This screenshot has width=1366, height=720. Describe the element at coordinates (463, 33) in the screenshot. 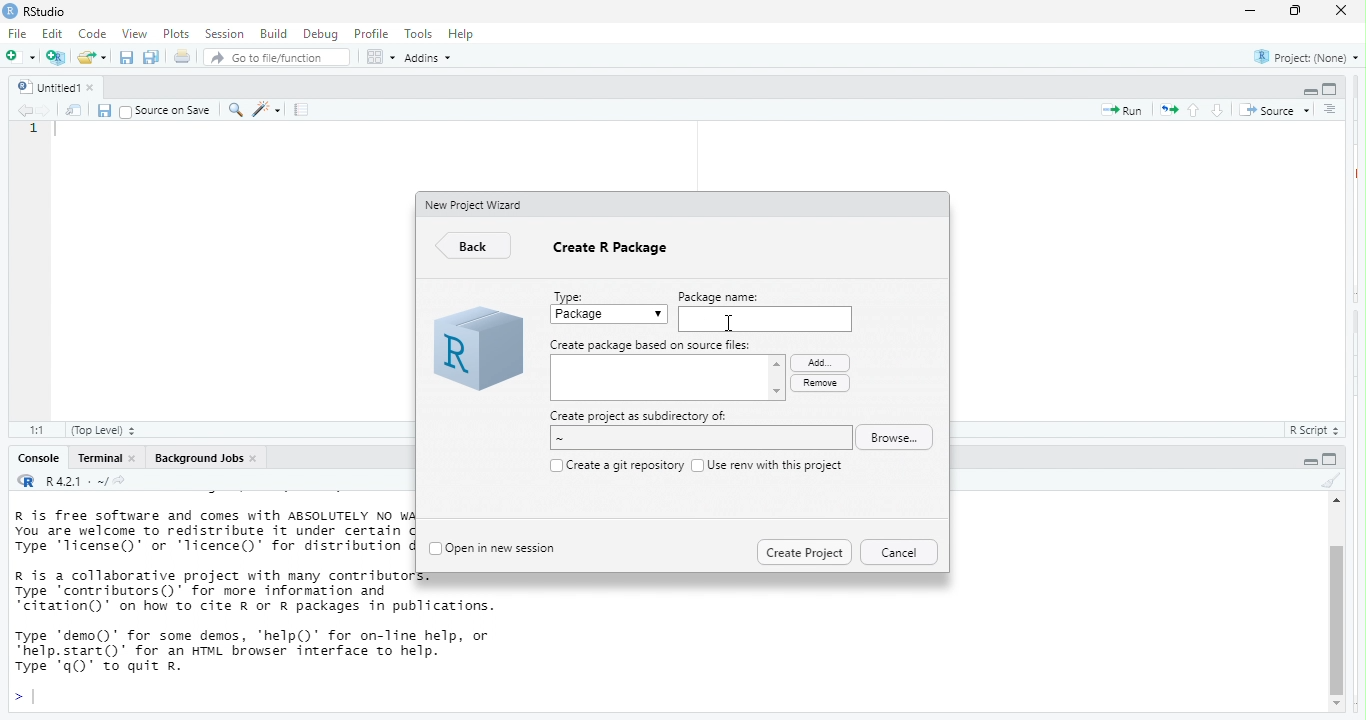

I see `Help` at that location.